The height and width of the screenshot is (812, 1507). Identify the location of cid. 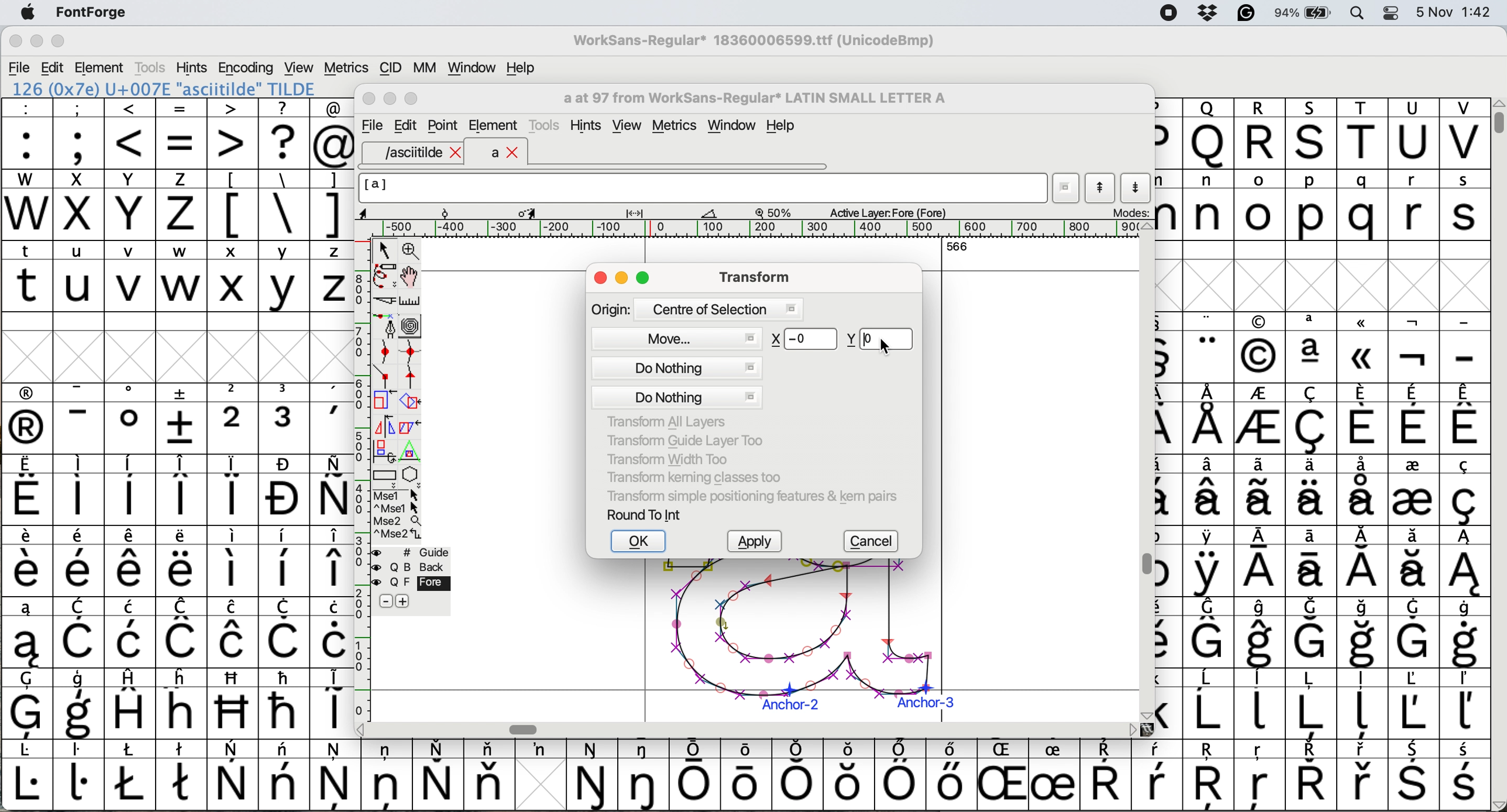
(389, 68).